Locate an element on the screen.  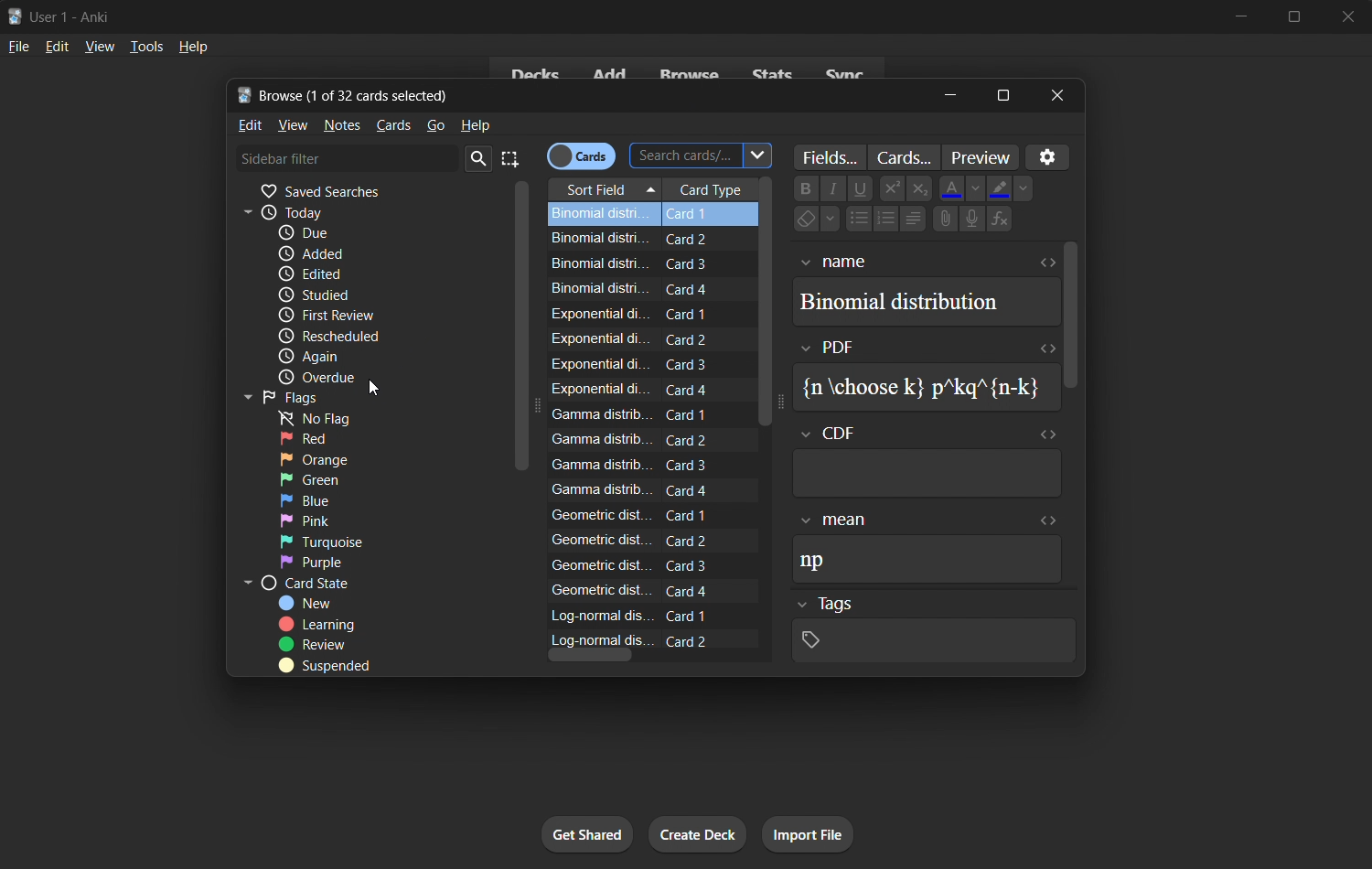
Card 1 is located at coordinates (703, 213).